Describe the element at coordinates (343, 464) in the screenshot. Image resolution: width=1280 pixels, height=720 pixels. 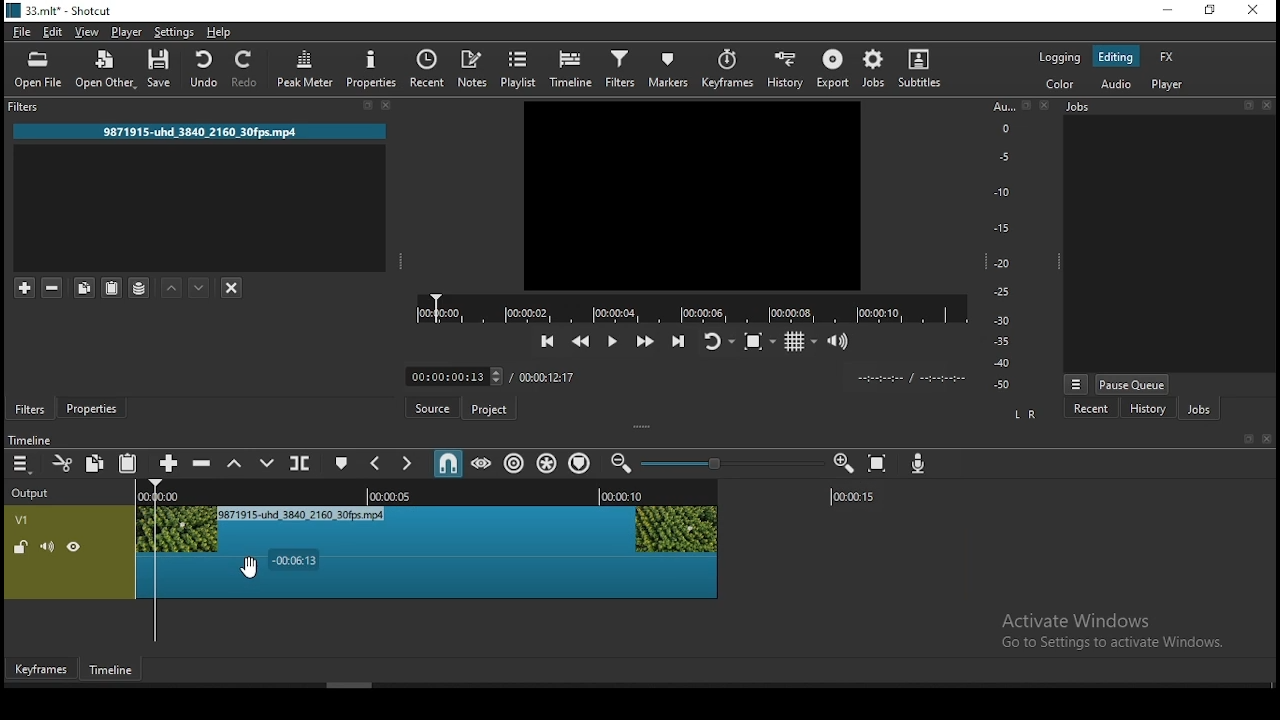
I see `create/edit marker` at that location.